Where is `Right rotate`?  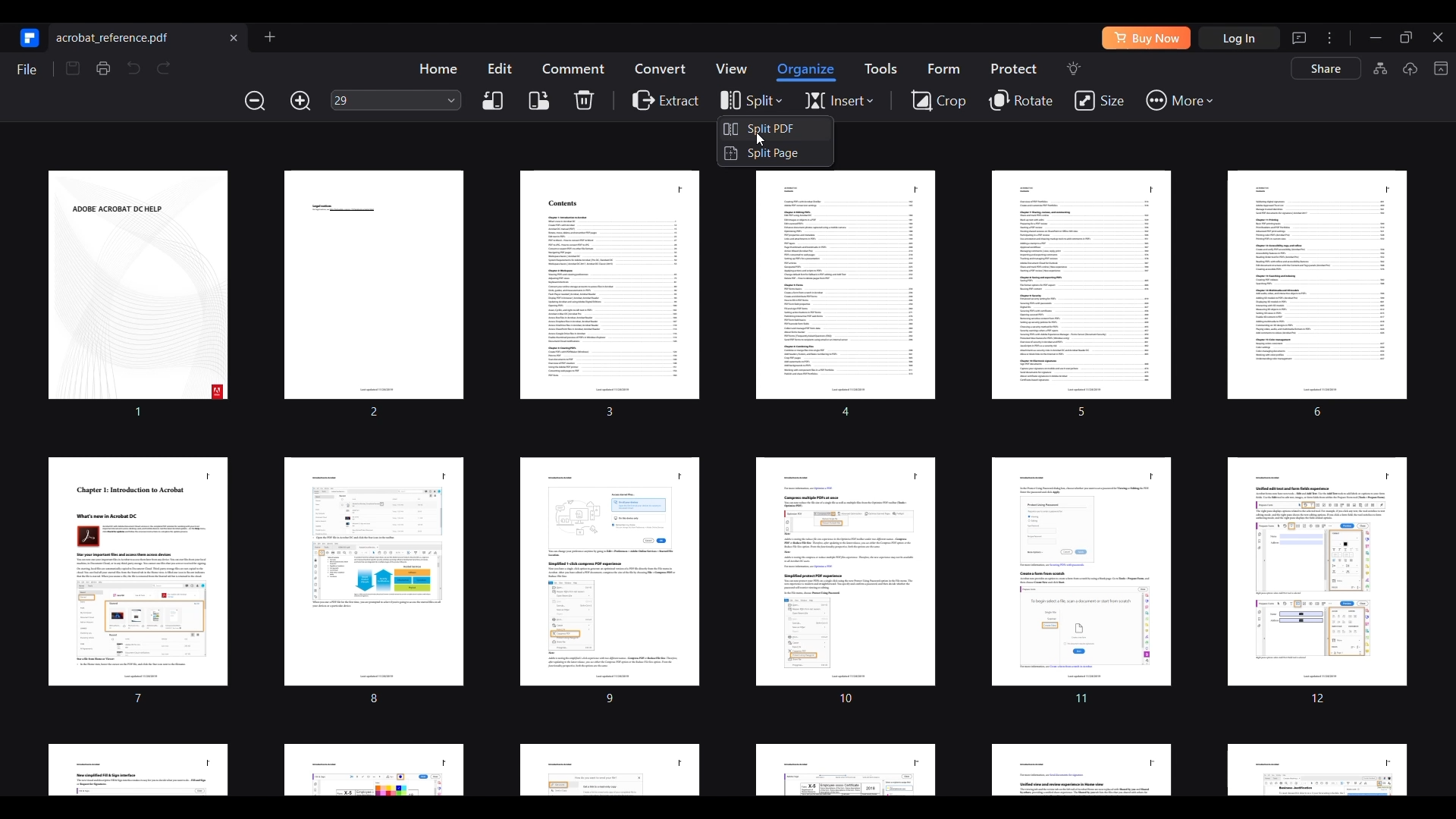 Right rotate is located at coordinates (539, 101).